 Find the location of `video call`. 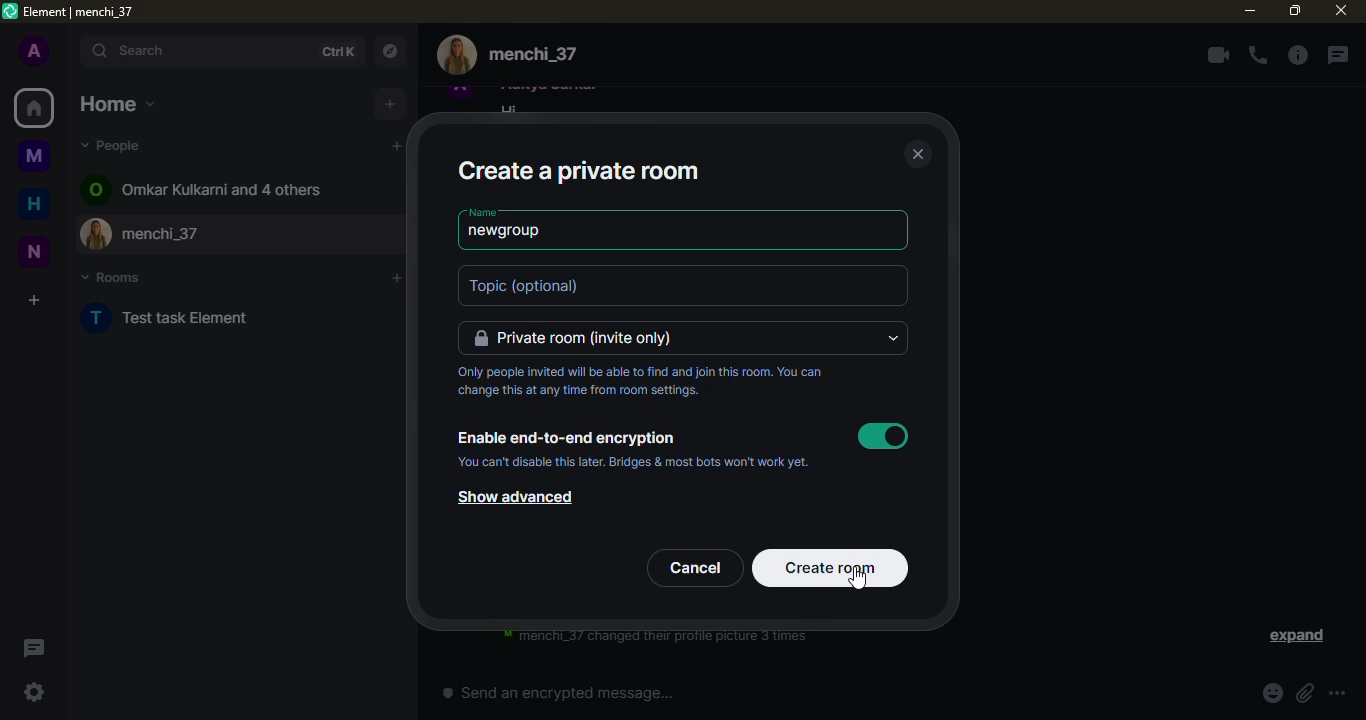

video call is located at coordinates (1218, 55).